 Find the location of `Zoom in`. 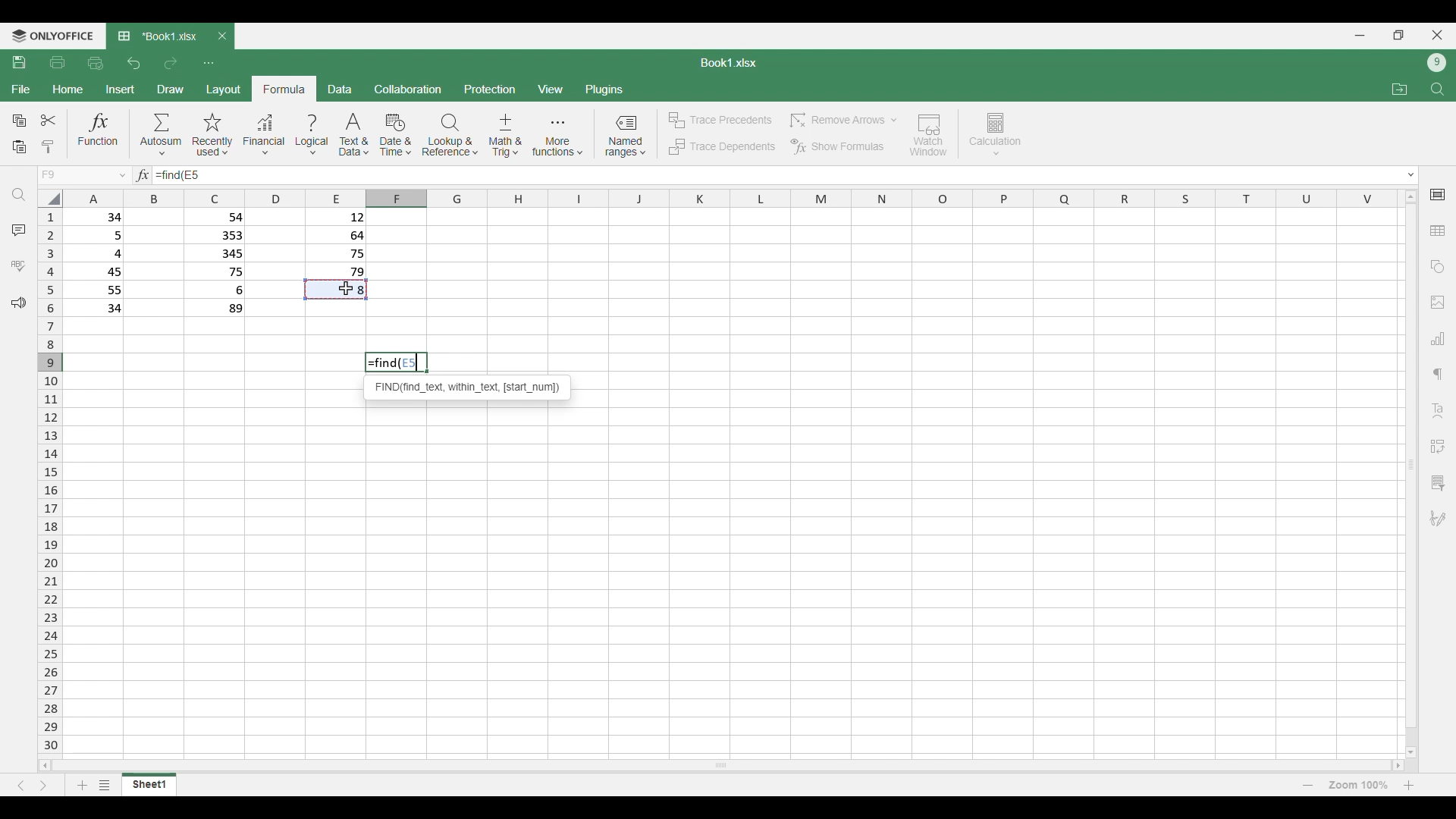

Zoom in is located at coordinates (1409, 785).